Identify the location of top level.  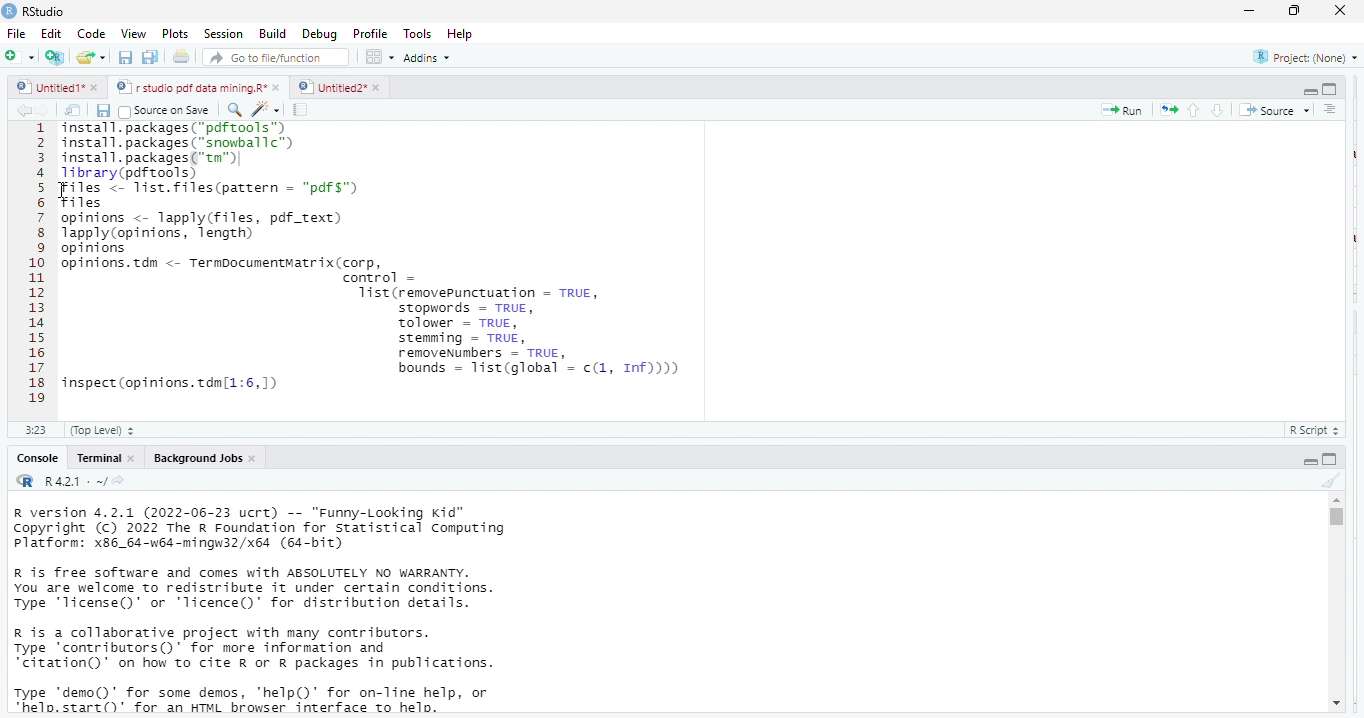
(108, 430).